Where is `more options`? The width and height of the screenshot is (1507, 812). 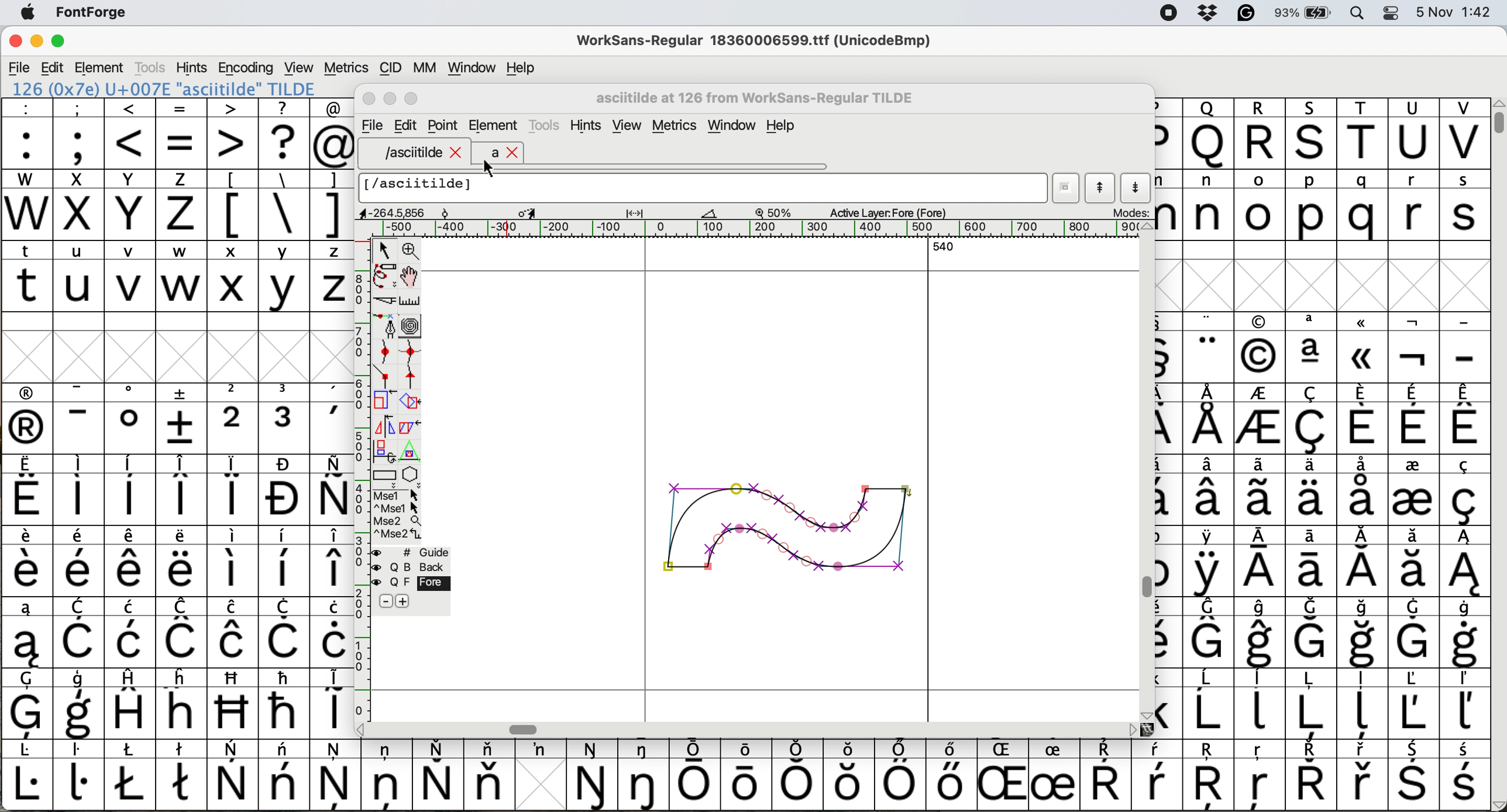
more options is located at coordinates (398, 514).